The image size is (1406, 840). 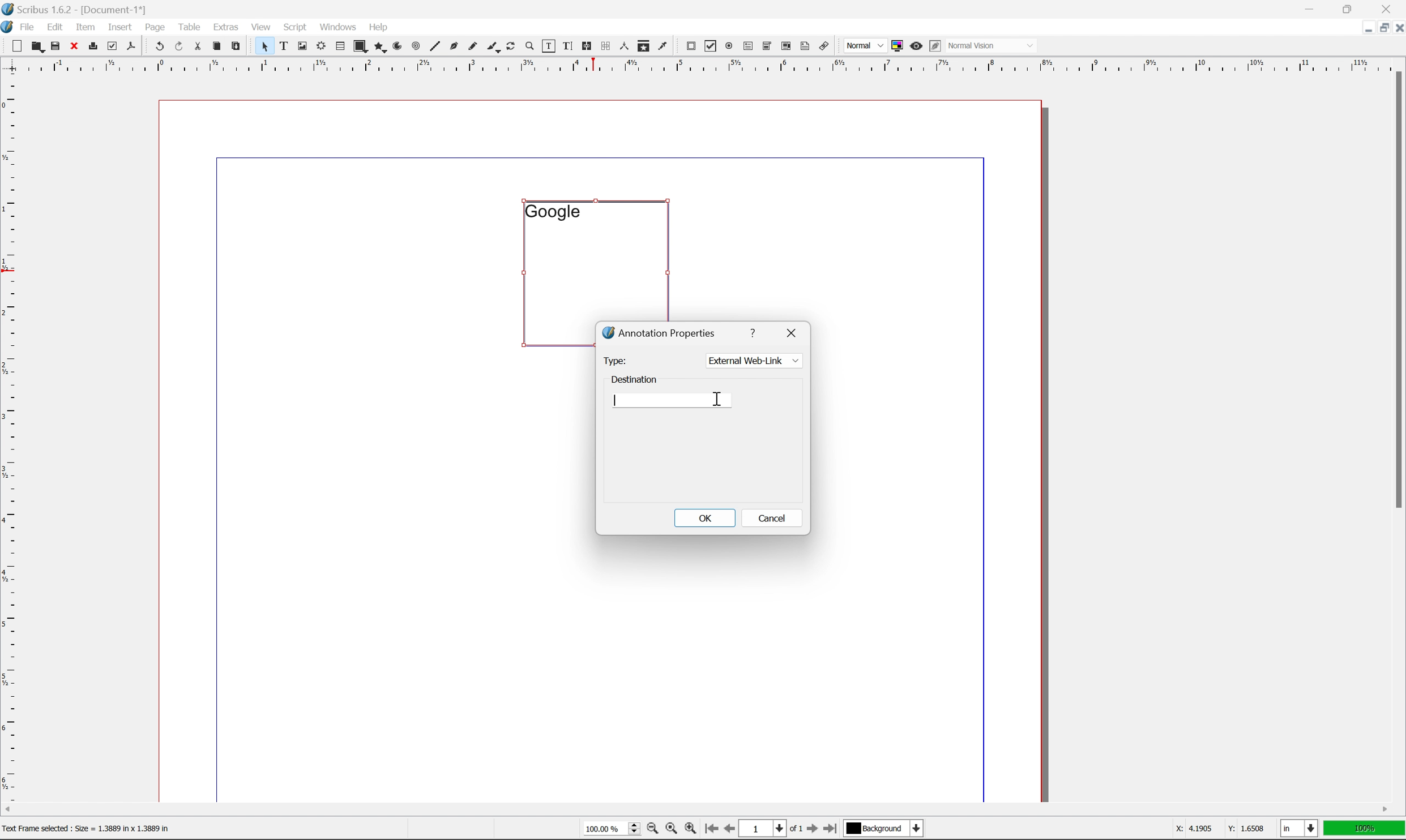 What do you see at coordinates (511, 47) in the screenshot?
I see `rotate item` at bounding box center [511, 47].